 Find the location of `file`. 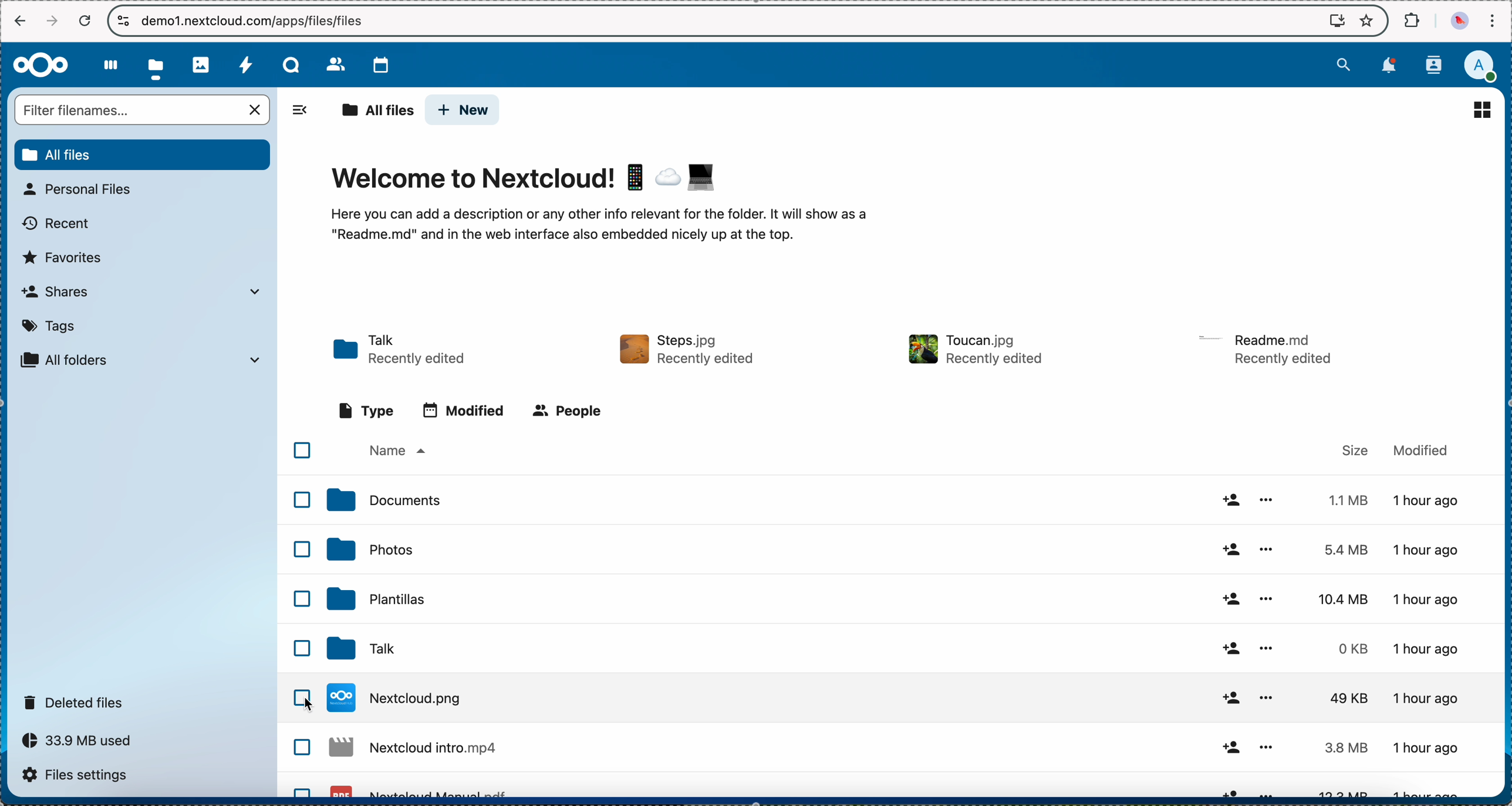

file is located at coordinates (1267, 350).